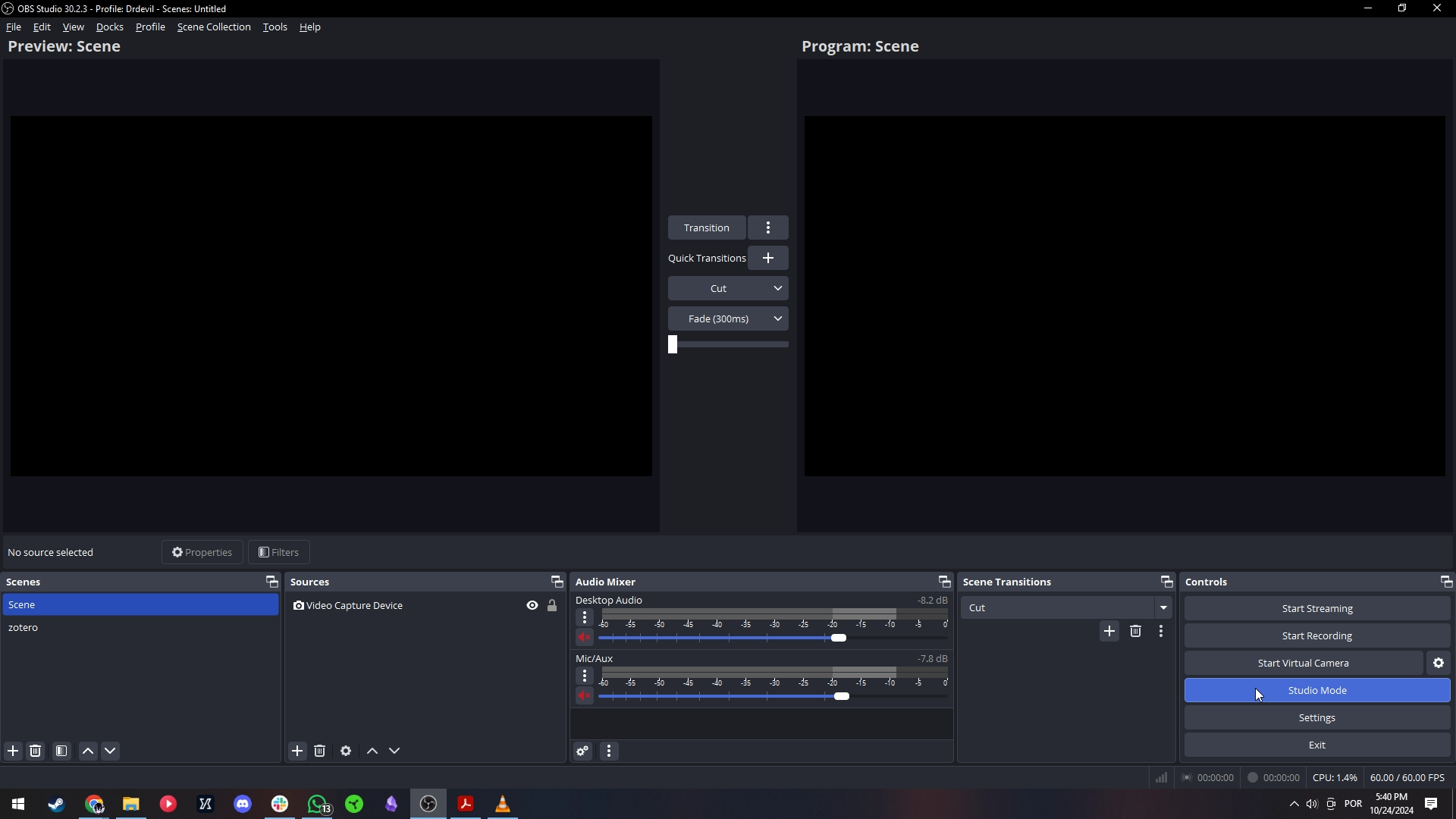  Describe the element at coordinates (1057, 607) in the screenshot. I see `Cut` at that location.